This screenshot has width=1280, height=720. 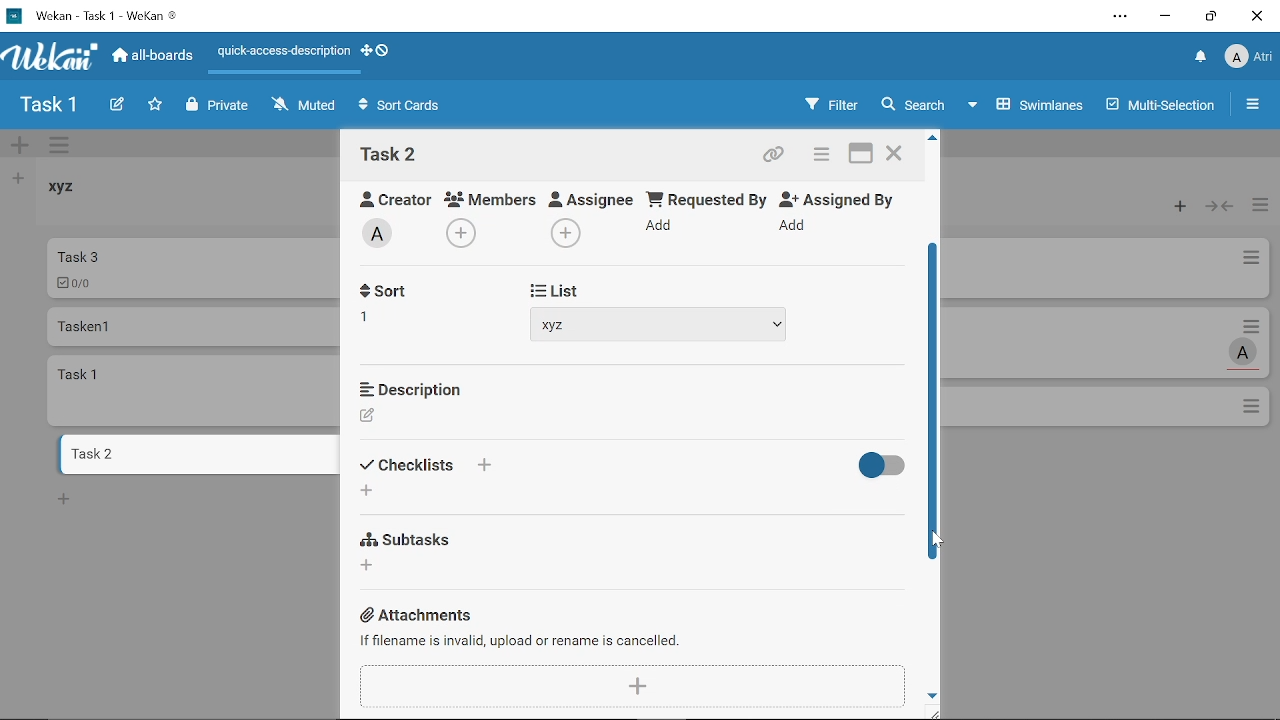 I want to click on Description, so click(x=410, y=387).